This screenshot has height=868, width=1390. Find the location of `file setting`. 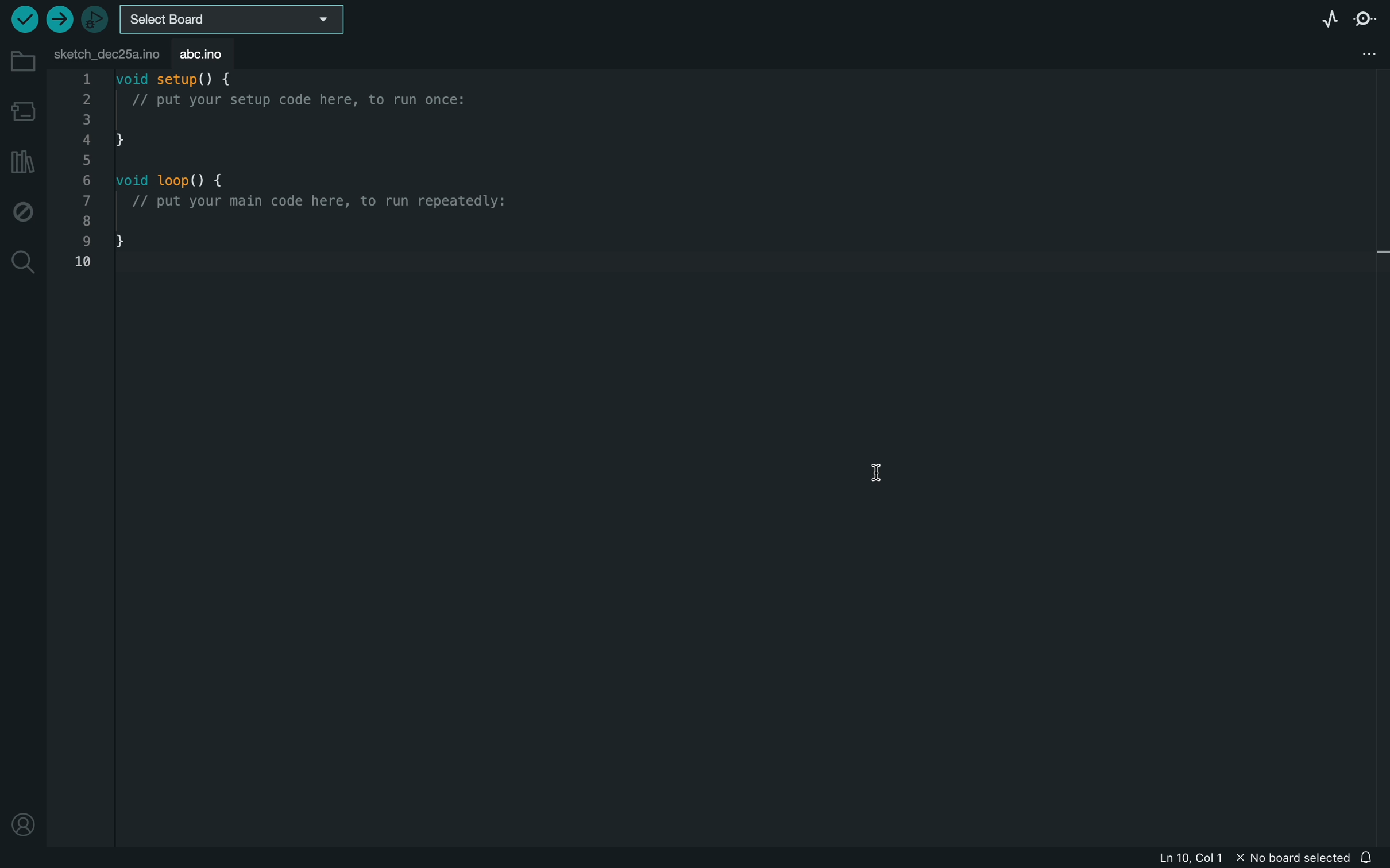

file setting is located at coordinates (1358, 53).